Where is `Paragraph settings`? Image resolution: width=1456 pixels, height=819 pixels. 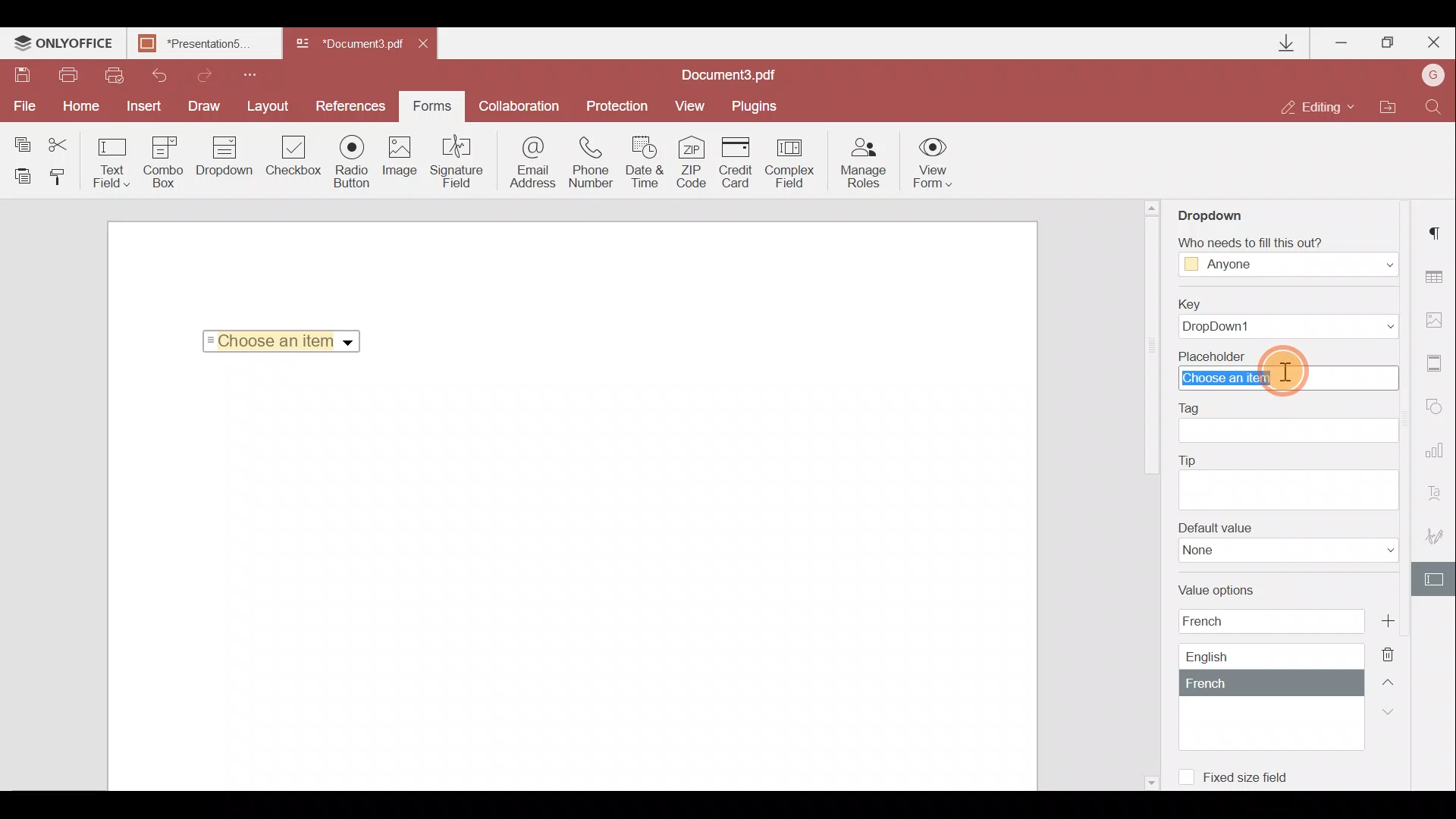
Paragraph settings is located at coordinates (1438, 228).